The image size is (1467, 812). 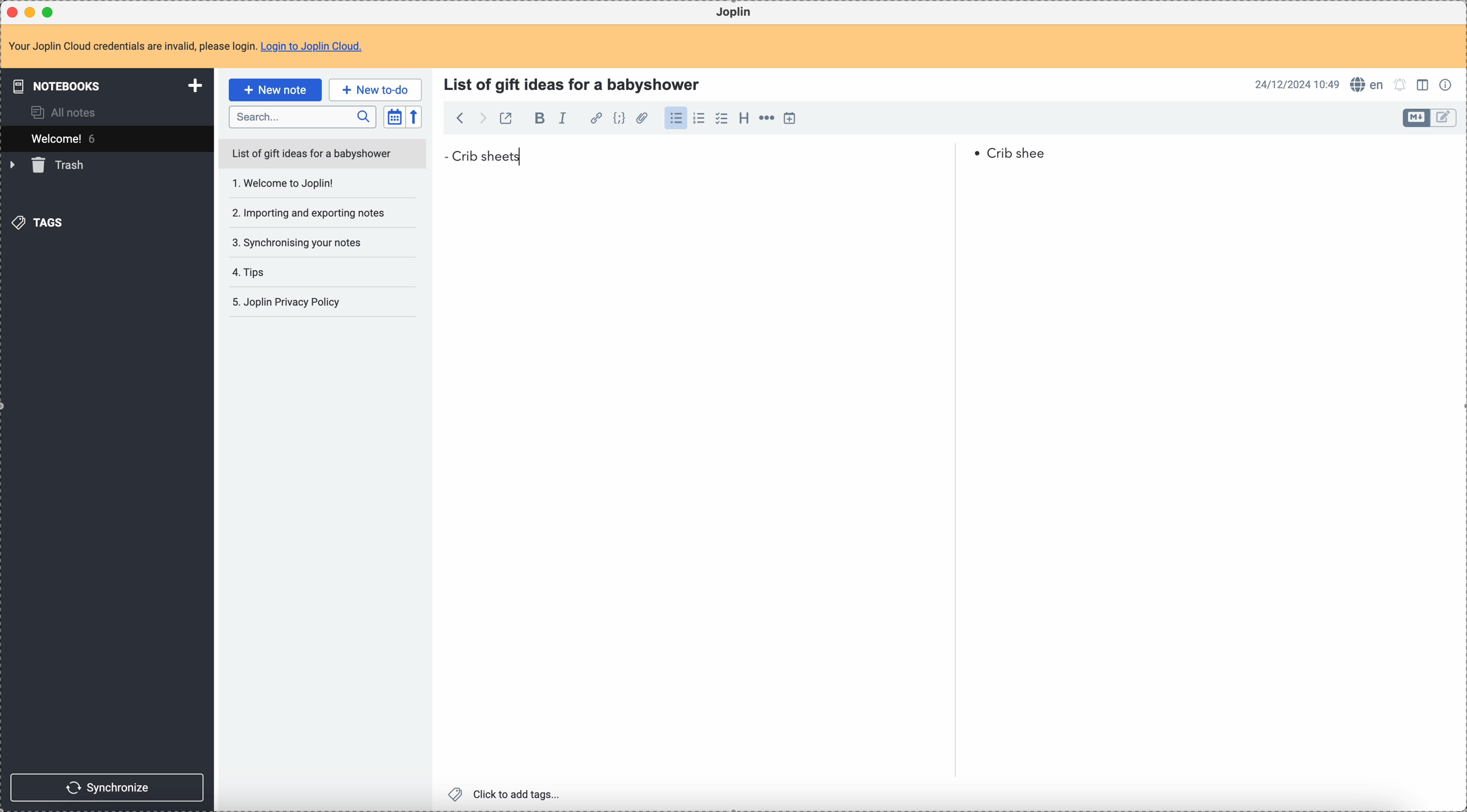 I want to click on attach file, so click(x=644, y=119).